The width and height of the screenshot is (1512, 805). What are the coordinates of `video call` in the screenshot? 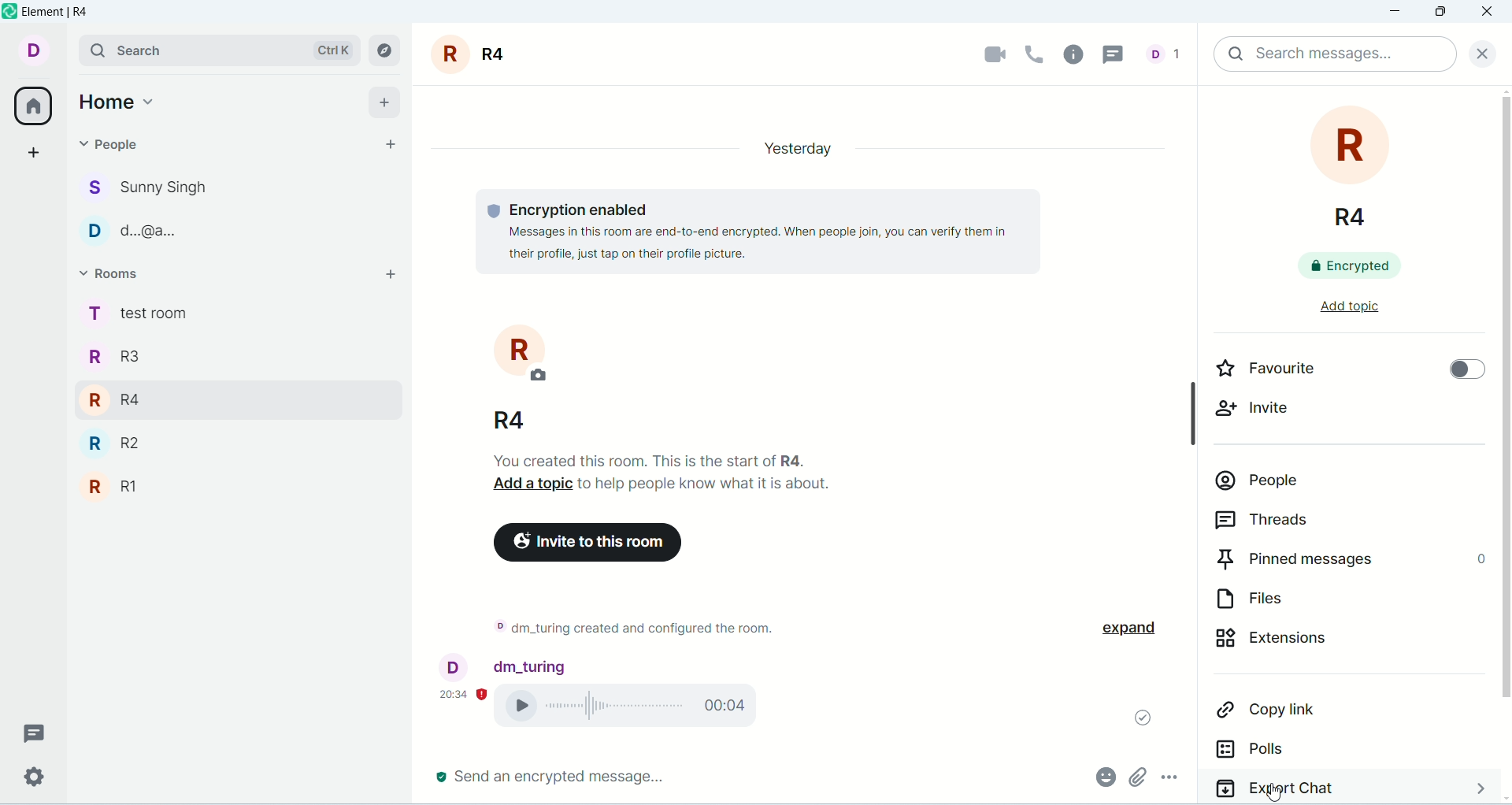 It's located at (986, 55).